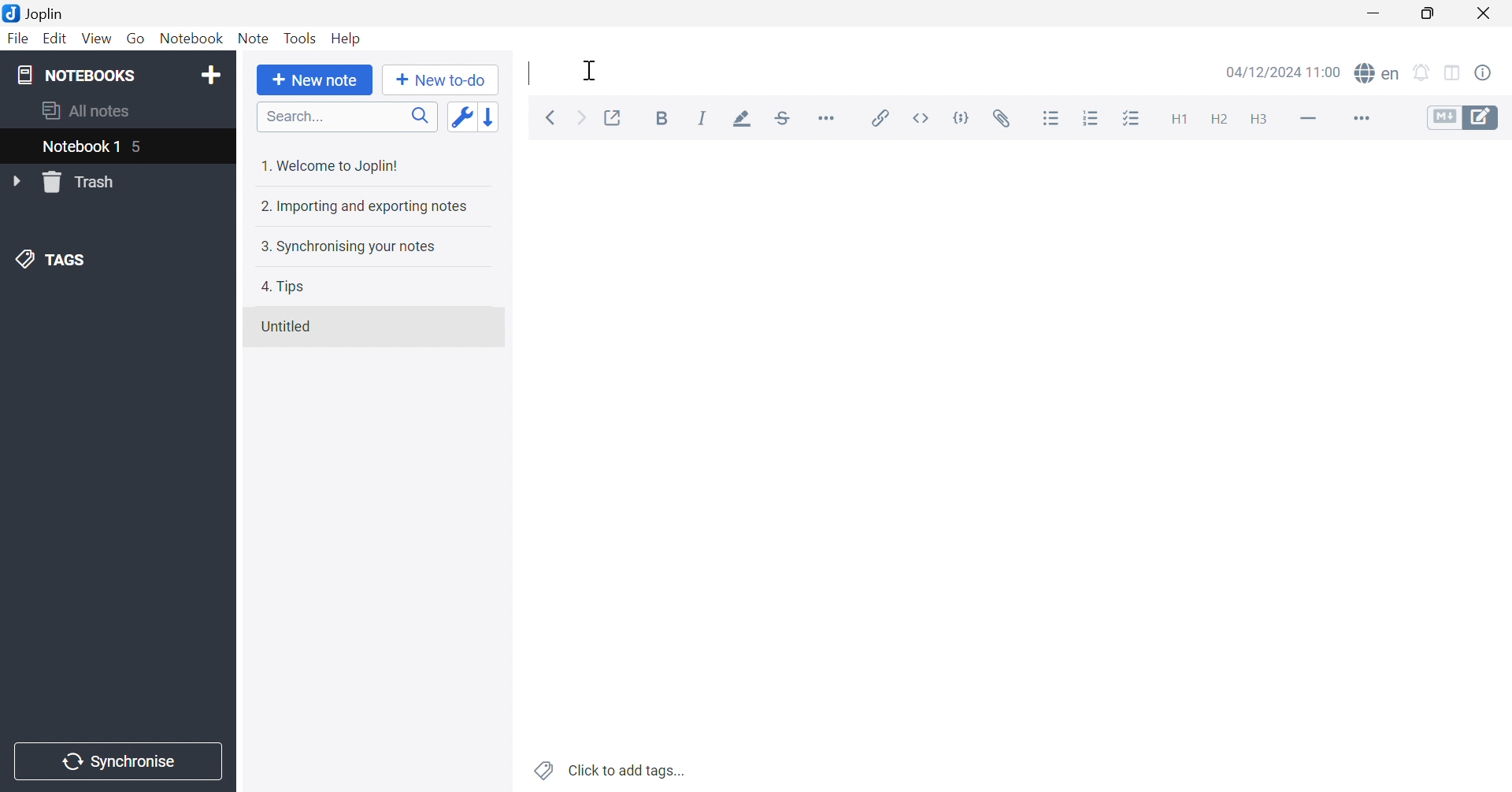 The image size is (1512, 792). Describe the element at coordinates (17, 41) in the screenshot. I see `File` at that location.